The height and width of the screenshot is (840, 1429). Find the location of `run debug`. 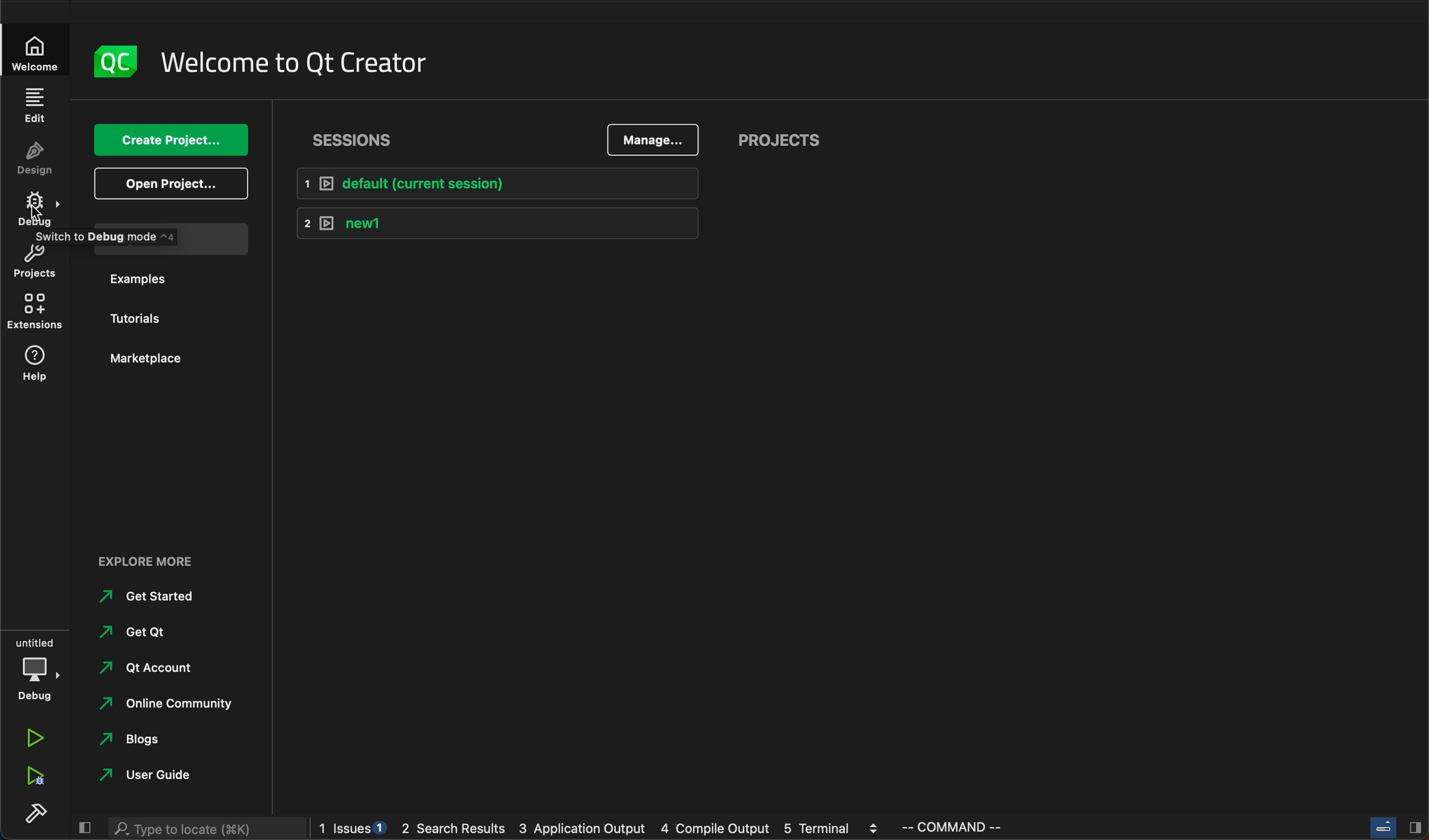

run debug is located at coordinates (31, 778).